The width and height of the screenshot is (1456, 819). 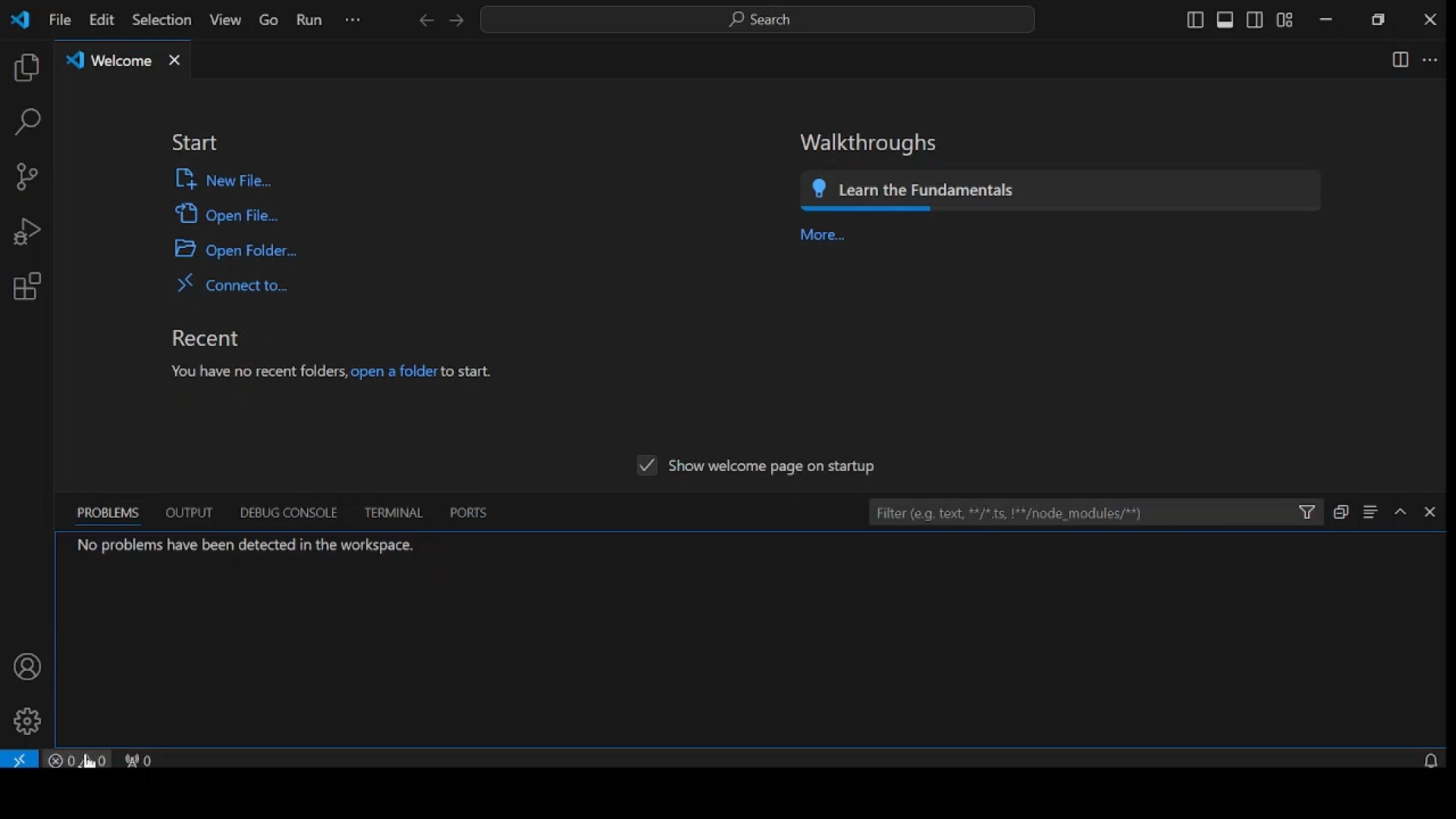 What do you see at coordinates (1430, 512) in the screenshot?
I see `hide panel` at bounding box center [1430, 512].